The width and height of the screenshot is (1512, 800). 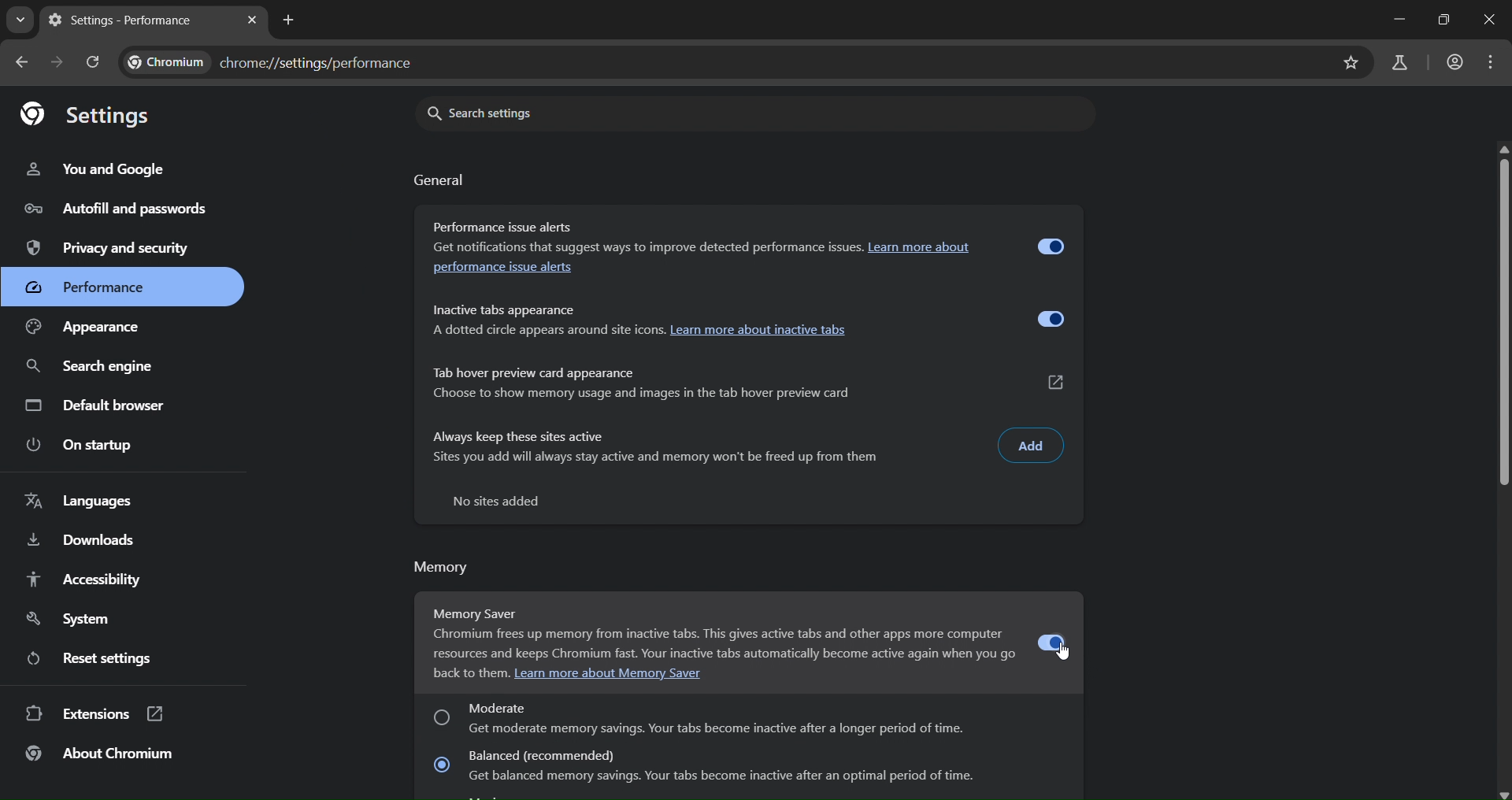 I want to click on Autofill and passwords, so click(x=113, y=209).